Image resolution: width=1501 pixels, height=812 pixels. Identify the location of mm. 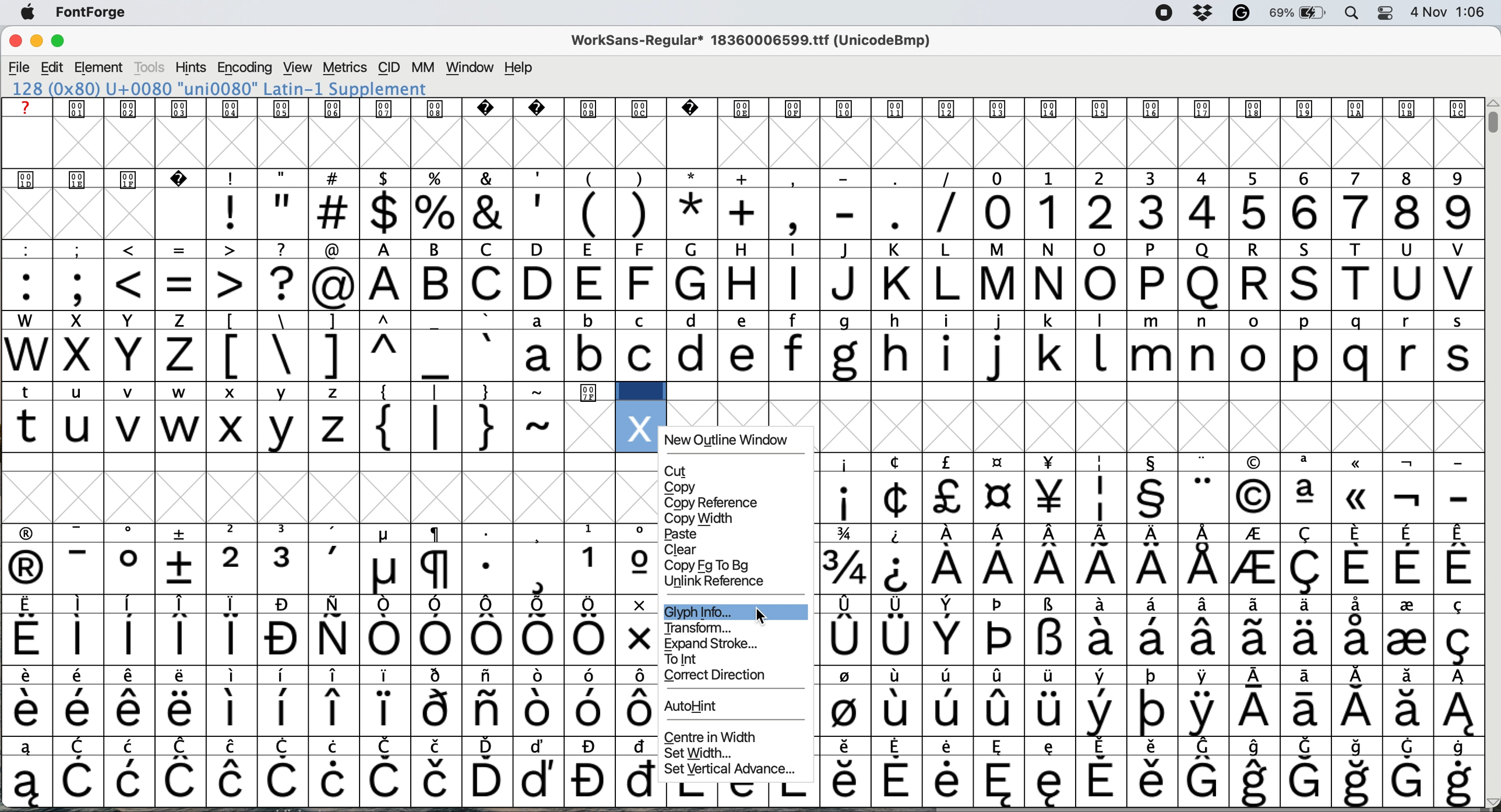
(422, 68).